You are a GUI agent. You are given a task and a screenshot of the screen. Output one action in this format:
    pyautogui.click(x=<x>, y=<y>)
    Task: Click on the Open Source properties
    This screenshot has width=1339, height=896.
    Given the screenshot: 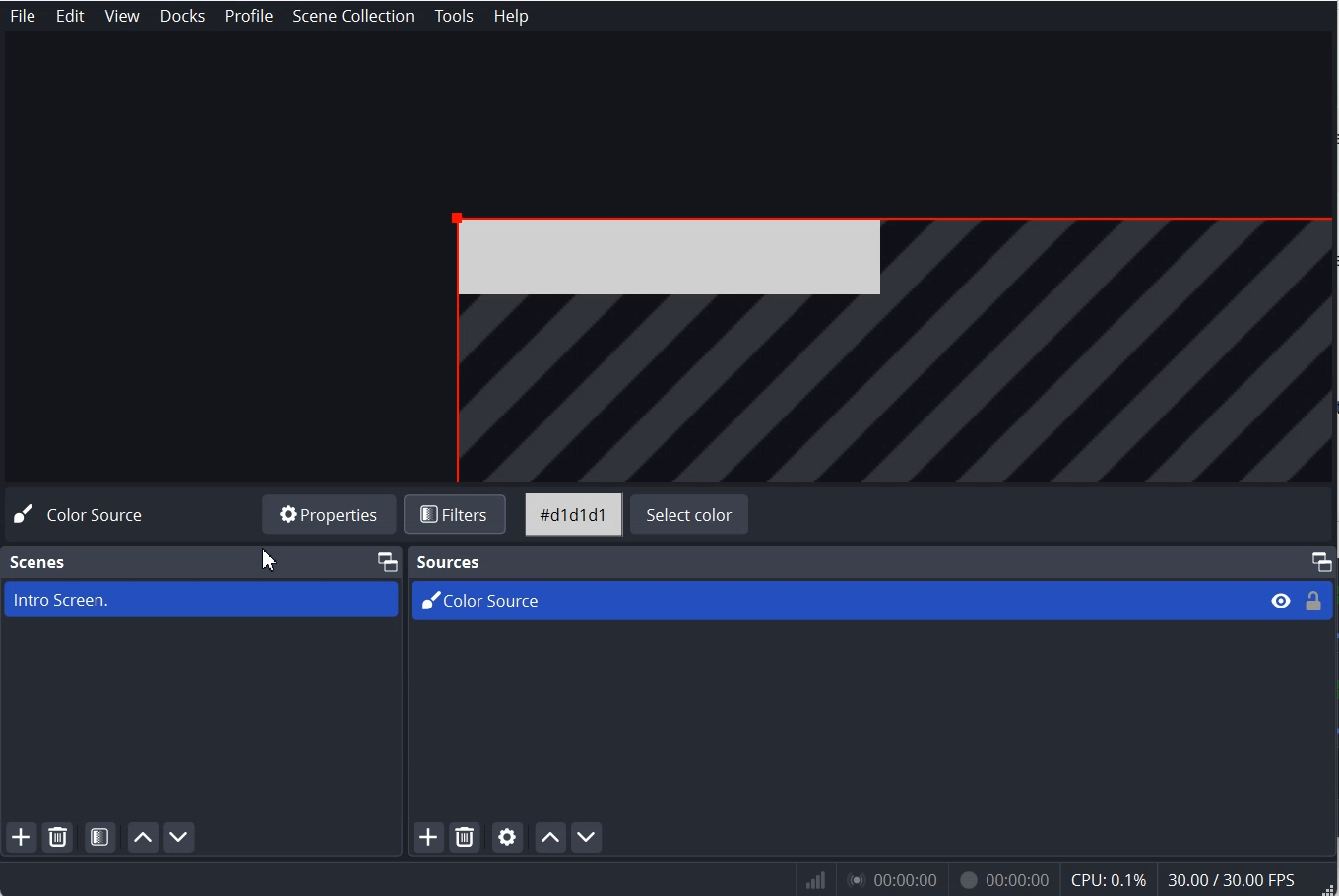 What is the action you would take?
    pyautogui.click(x=507, y=837)
    